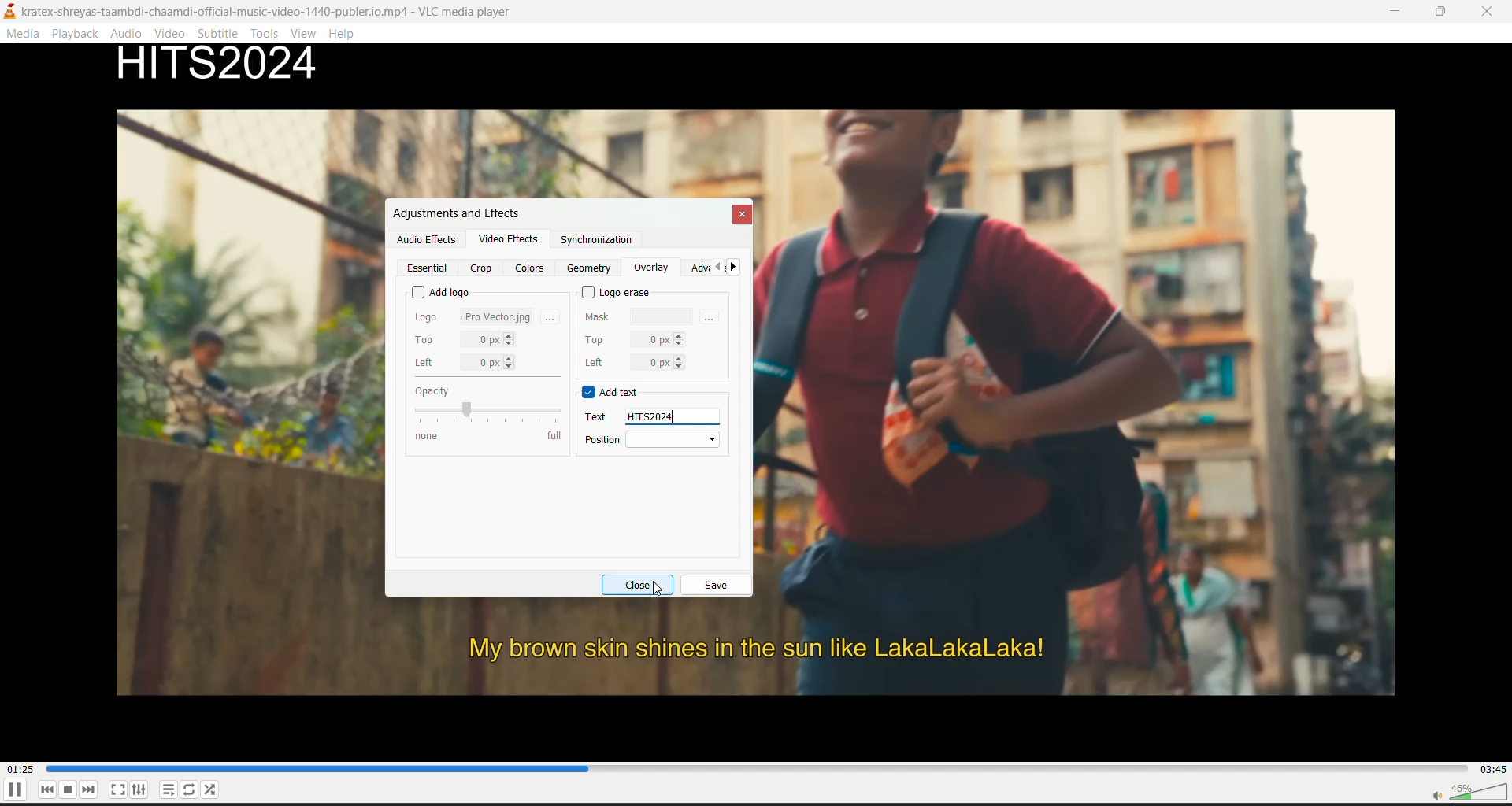 The height and width of the screenshot is (806, 1512). Describe the element at coordinates (634, 338) in the screenshot. I see `top` at that location.